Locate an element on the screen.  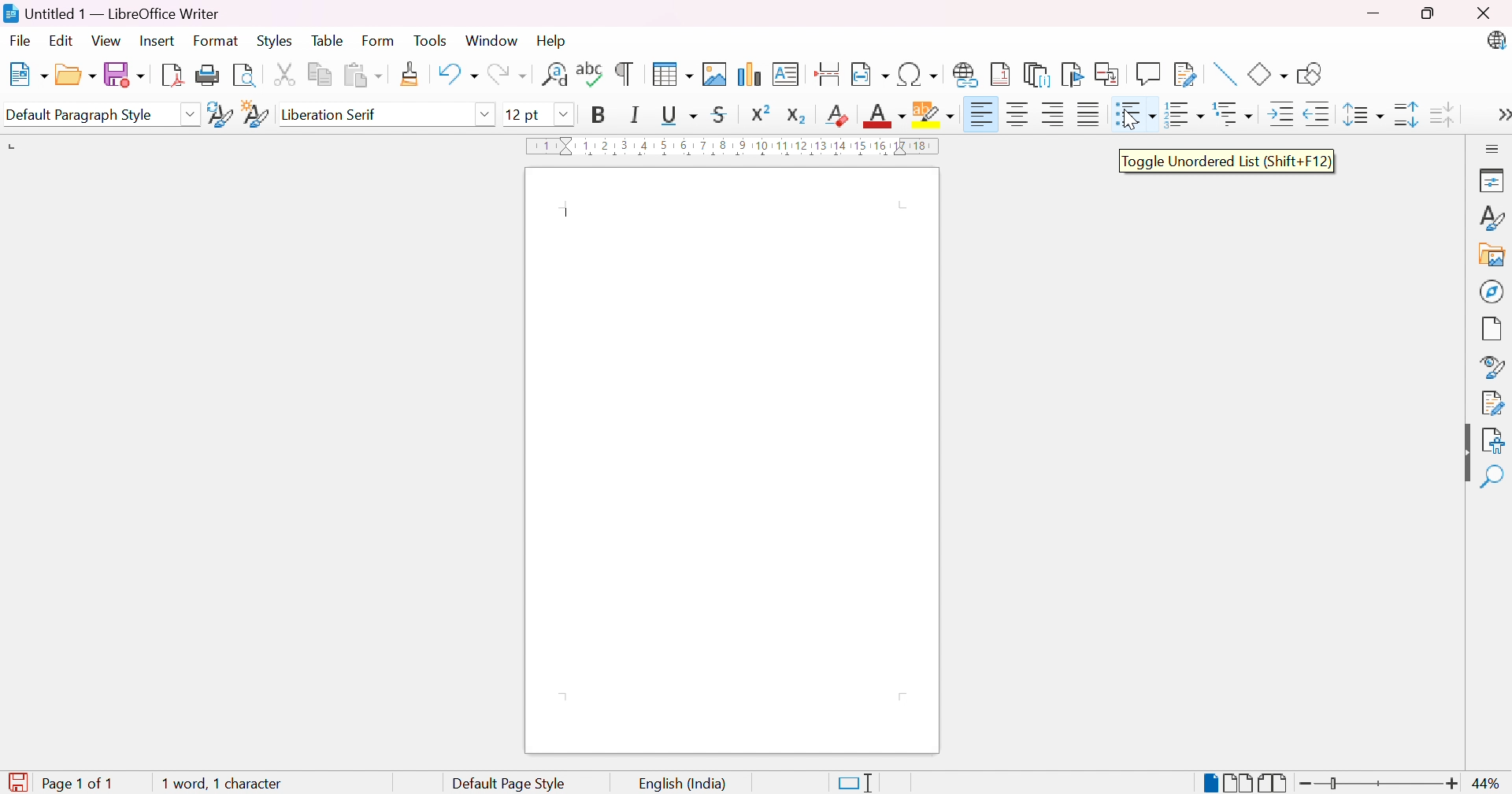
Insert special characters is located at coordinates (917, 75).